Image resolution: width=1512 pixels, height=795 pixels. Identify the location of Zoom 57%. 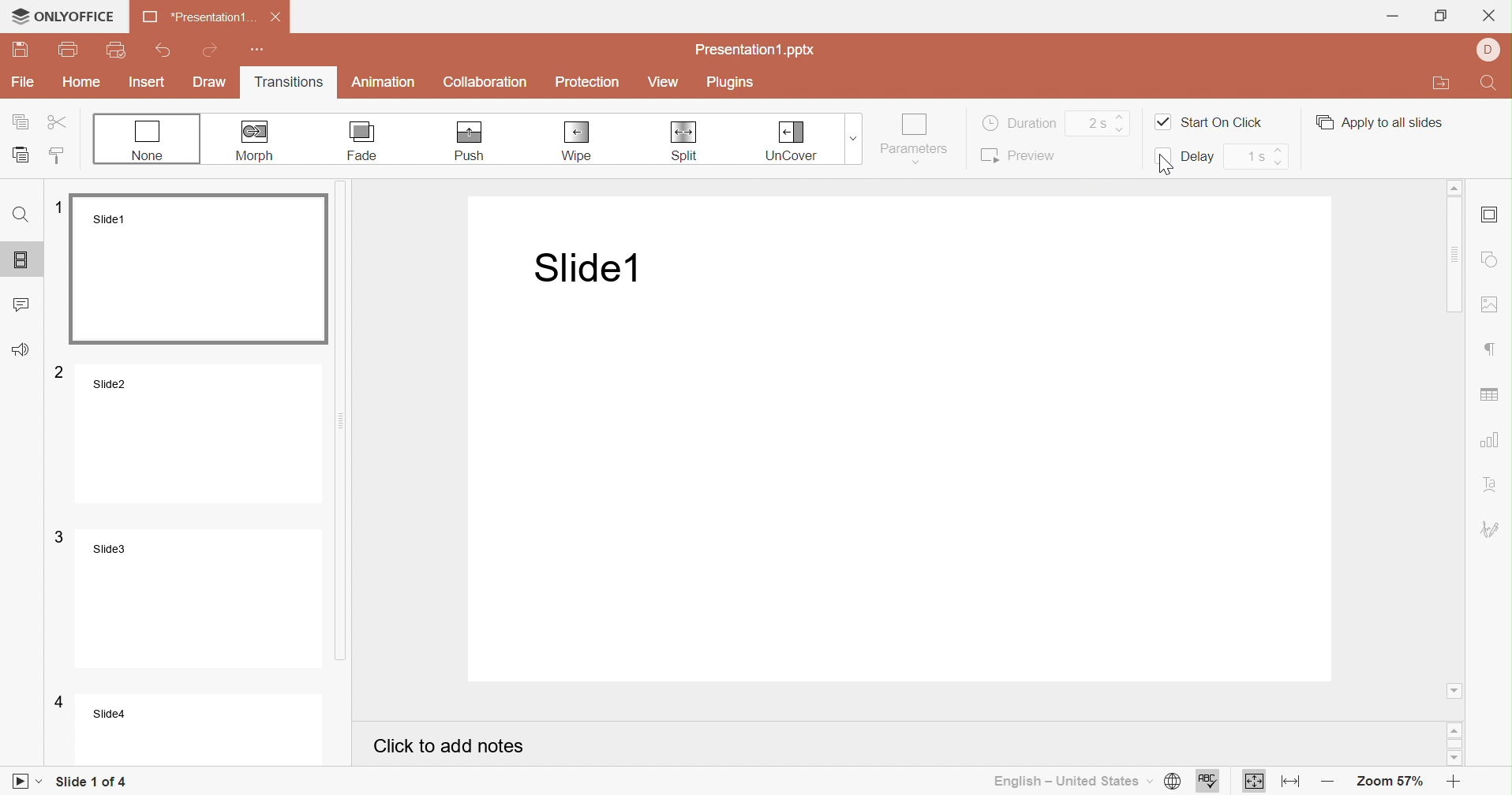
(1392, 784).